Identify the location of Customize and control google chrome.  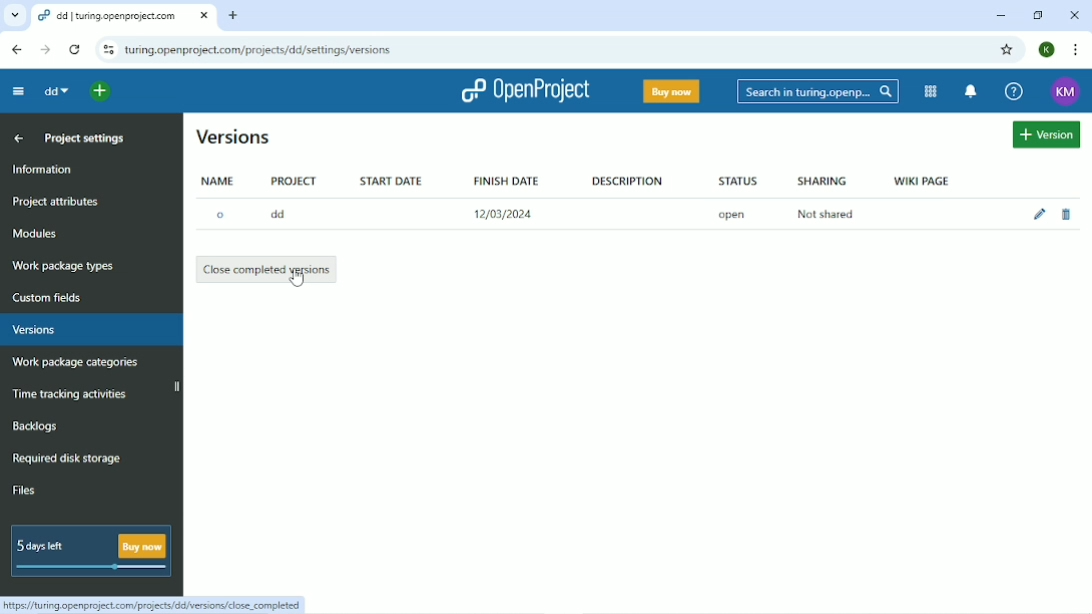
(1074, 50).